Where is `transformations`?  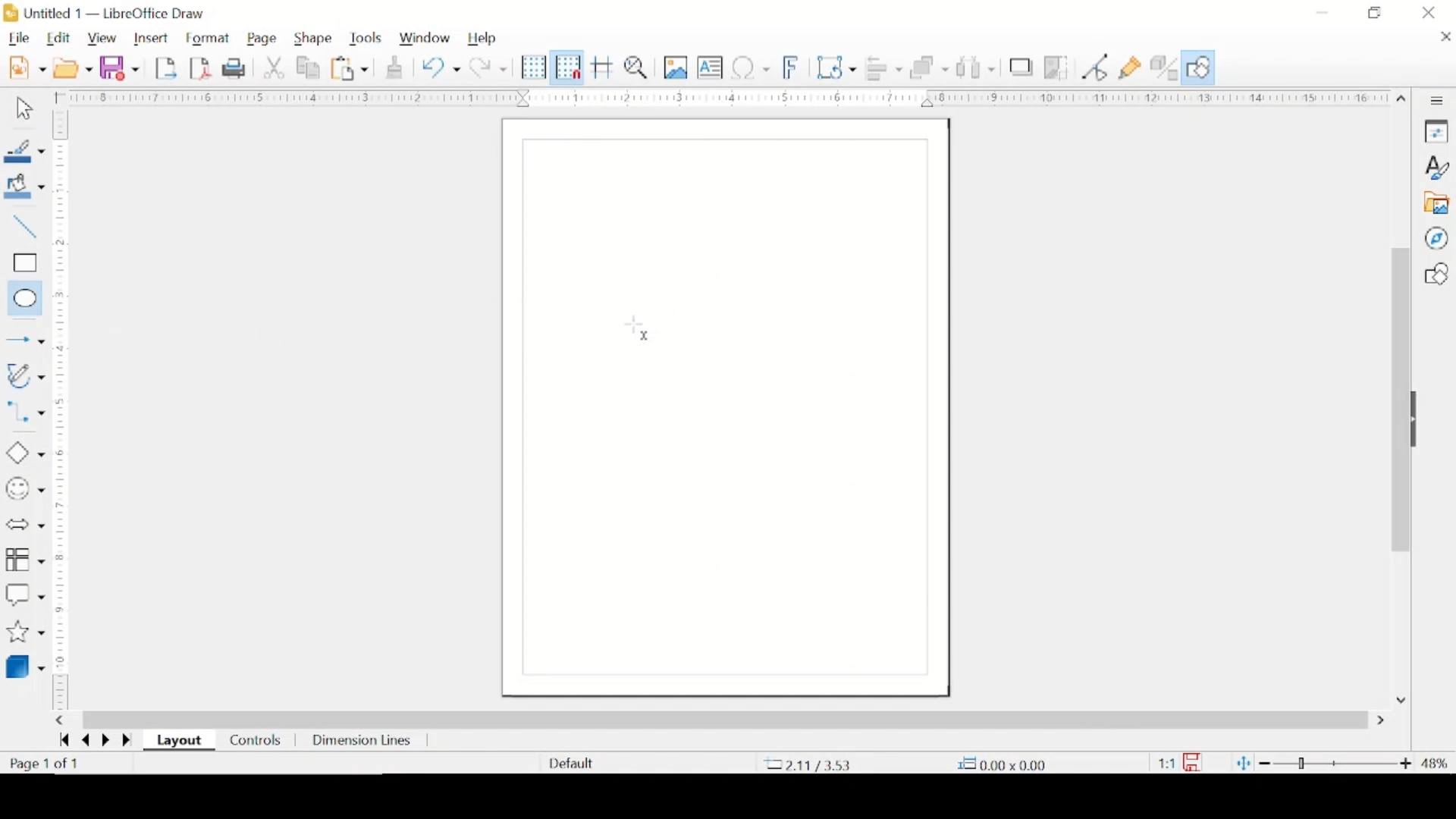 transformations is located at coordinates (837, 67).